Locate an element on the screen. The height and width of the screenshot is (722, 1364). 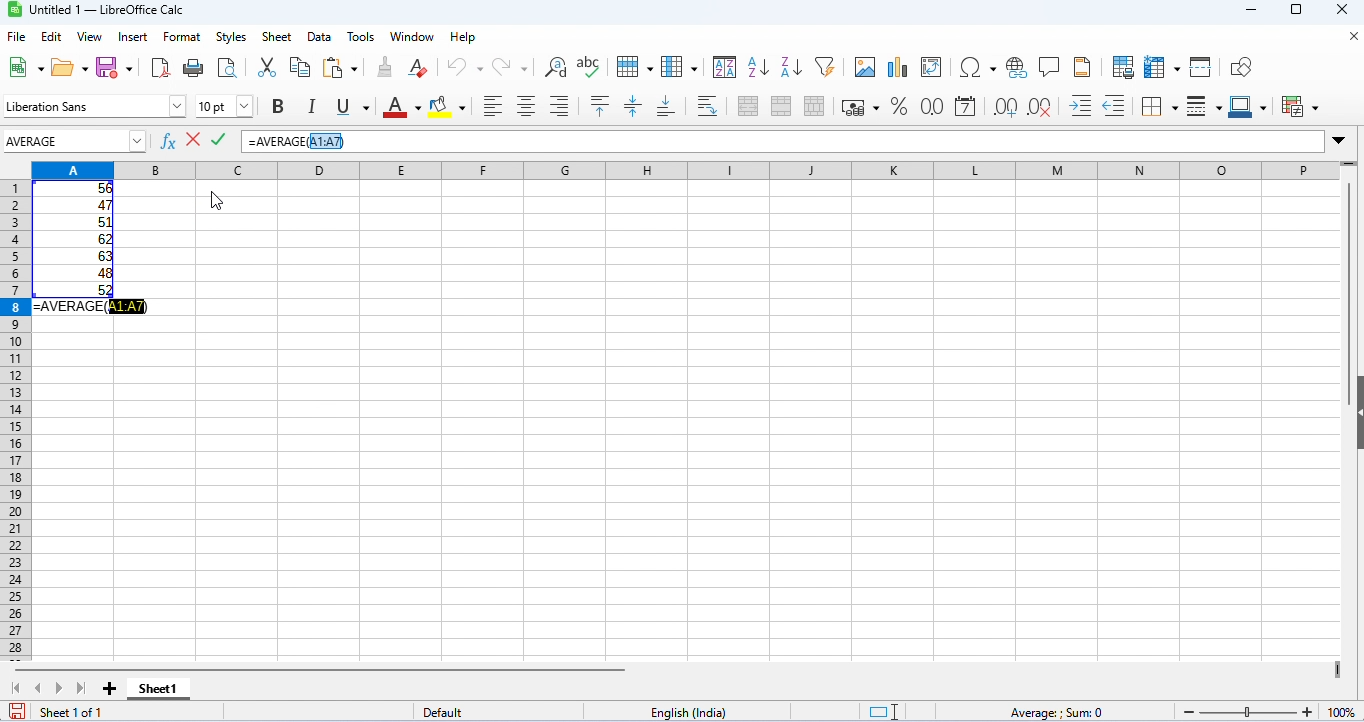
minimize is located at coordinates (1257, 12).